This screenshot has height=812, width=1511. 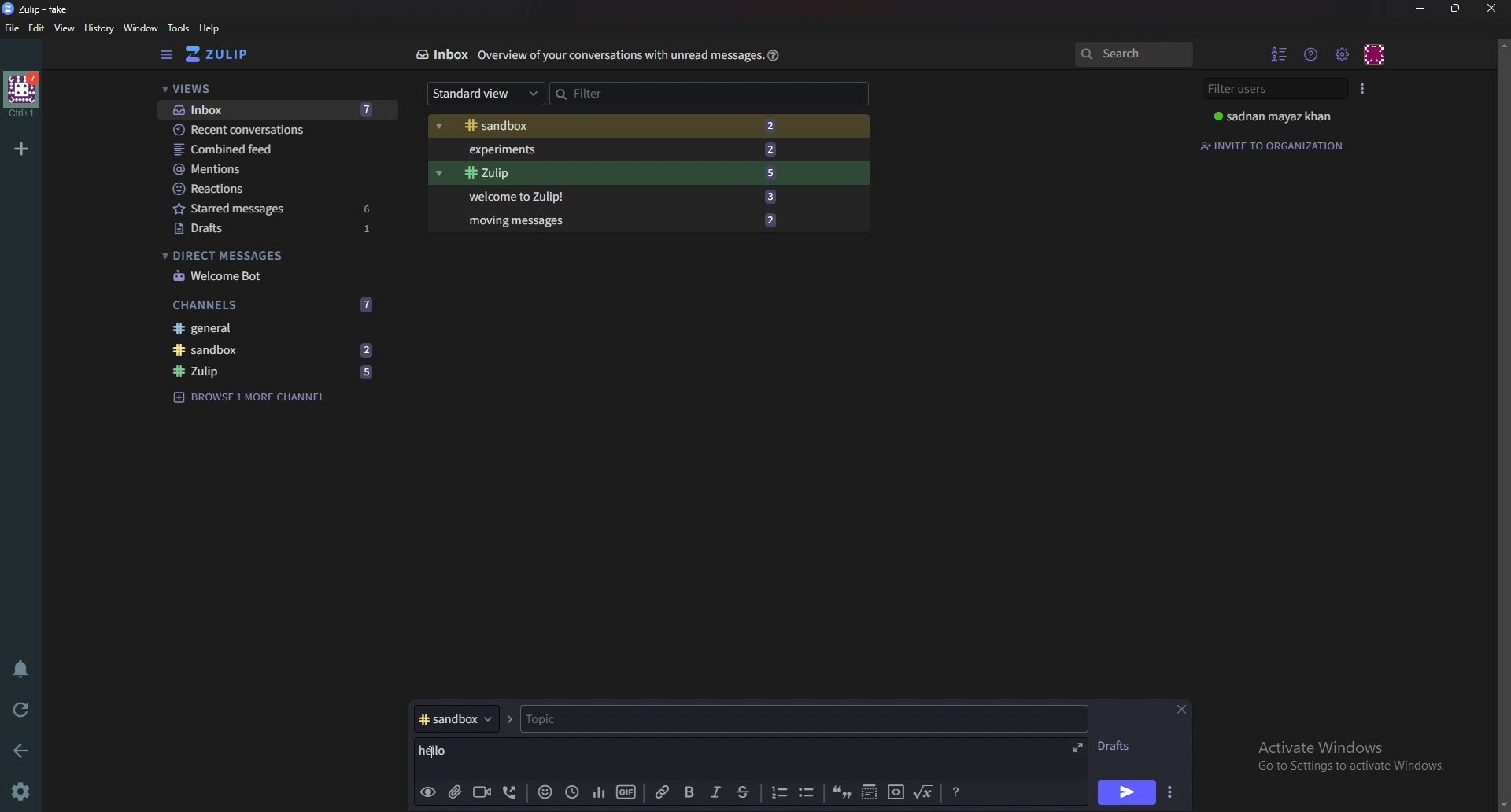 I want to click on # sandbox, so click(x=467, y=719).